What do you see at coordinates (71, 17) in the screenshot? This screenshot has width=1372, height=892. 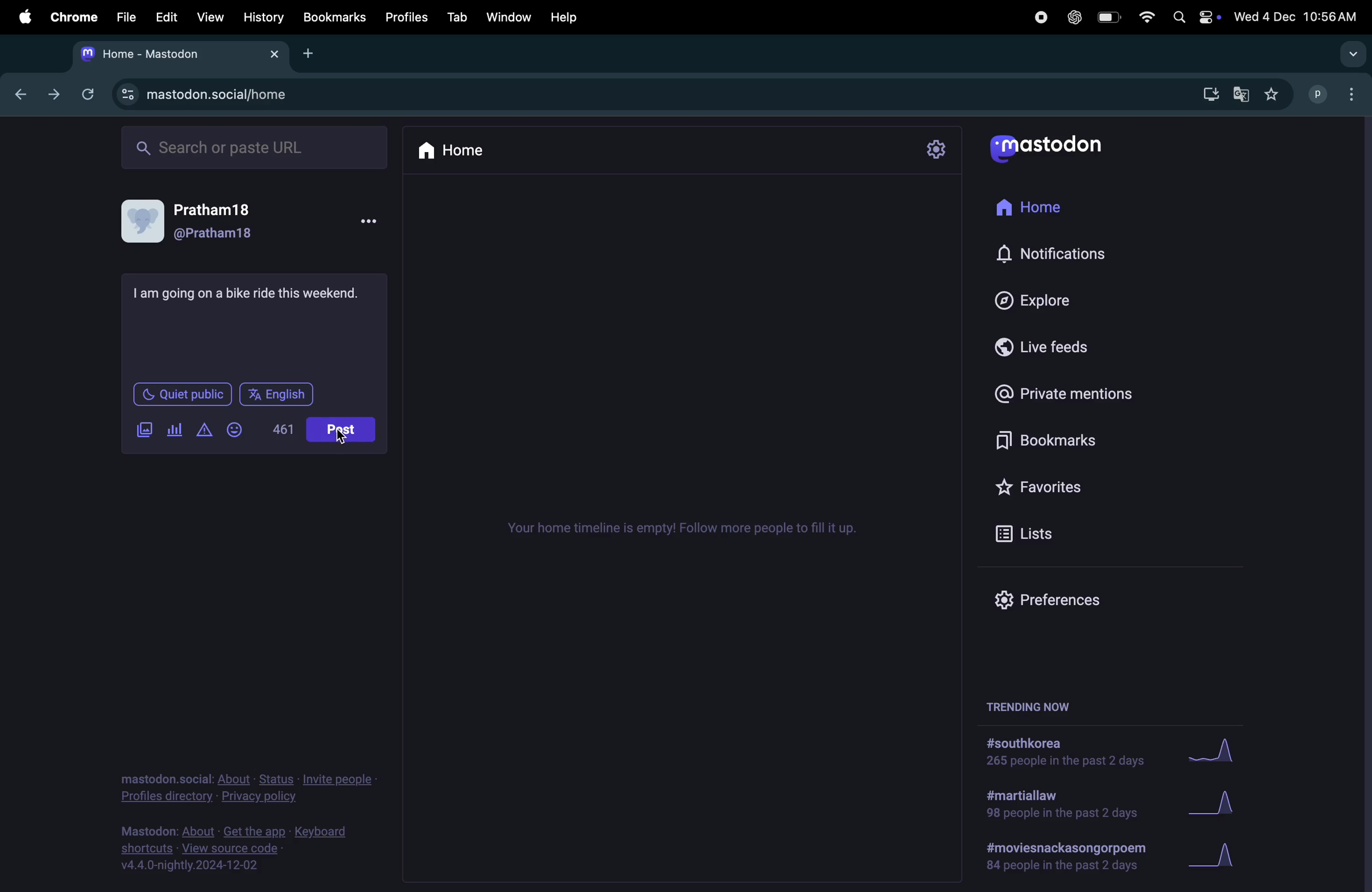 I see `chrome` at bounding box center [71, 17].